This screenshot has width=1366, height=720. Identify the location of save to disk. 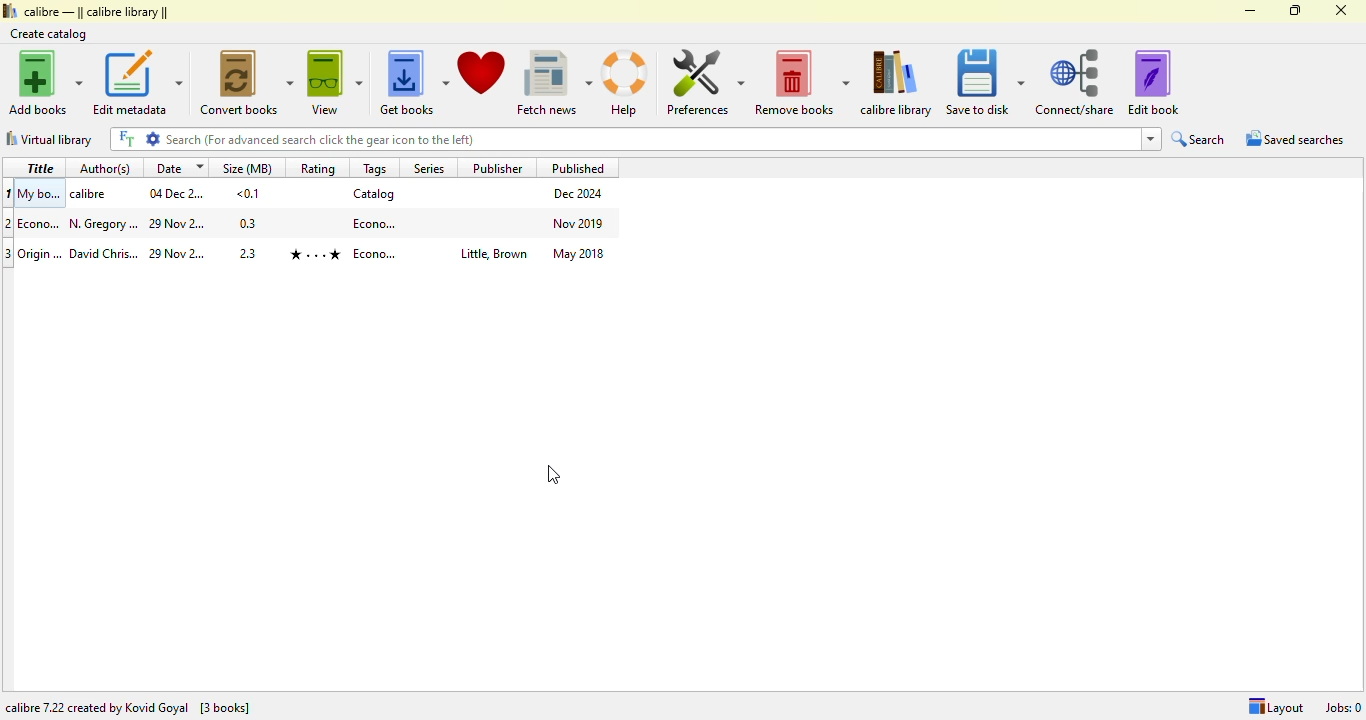
(984, 82).